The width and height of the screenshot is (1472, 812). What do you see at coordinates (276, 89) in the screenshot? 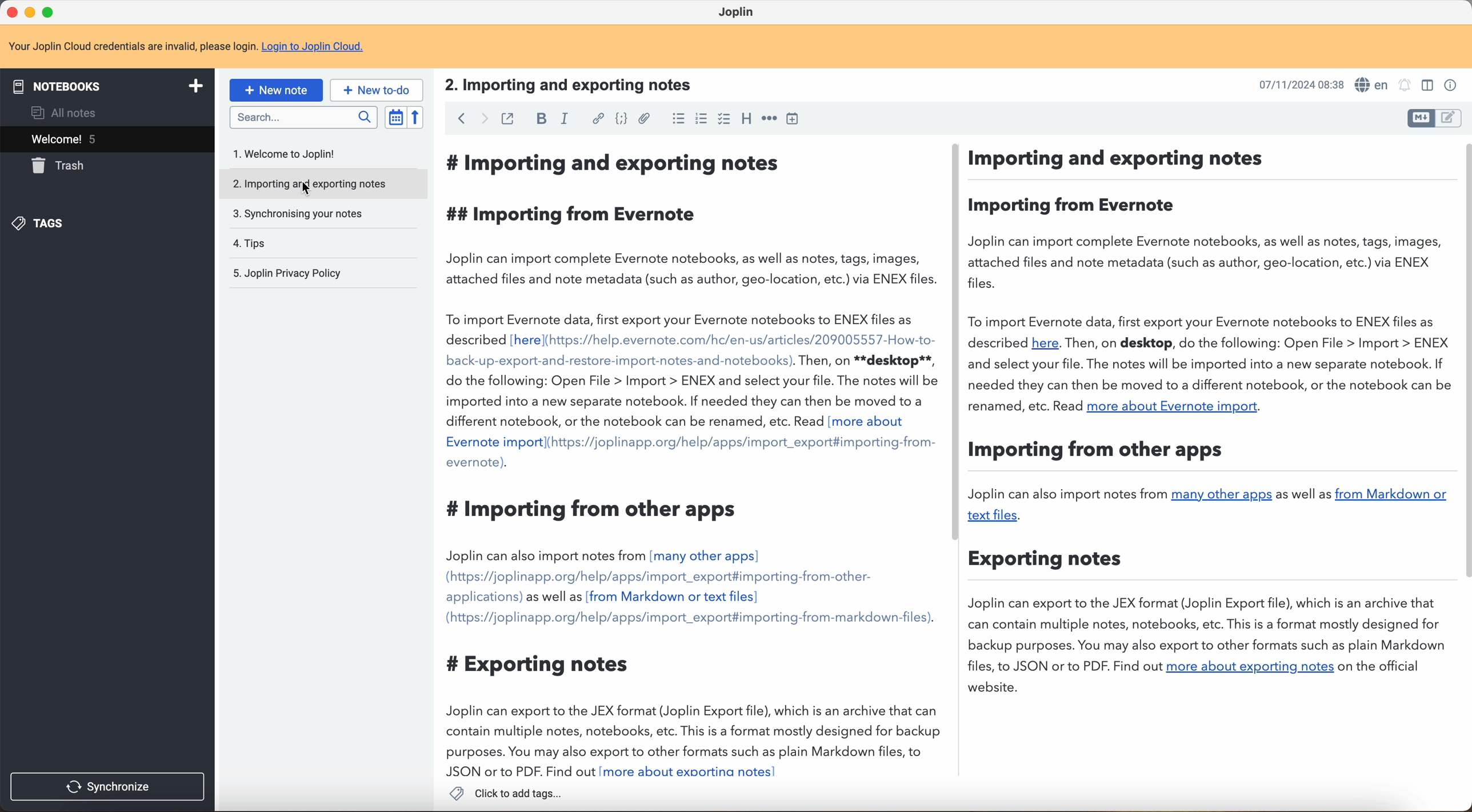
I see `new note` at bounding box center [276, 89].